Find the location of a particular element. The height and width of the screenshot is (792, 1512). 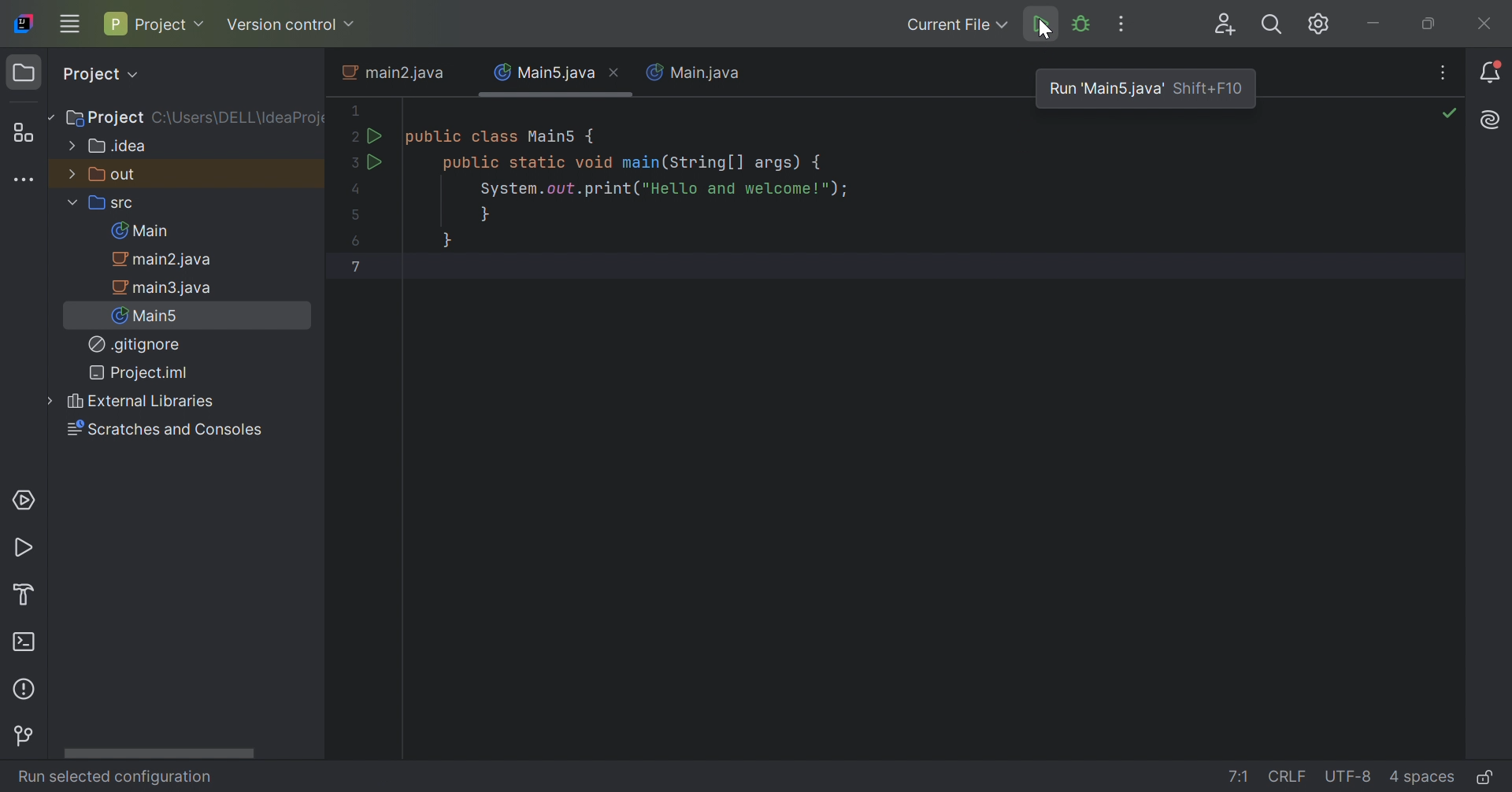

7:1 is located at coordinates (1238, 775).